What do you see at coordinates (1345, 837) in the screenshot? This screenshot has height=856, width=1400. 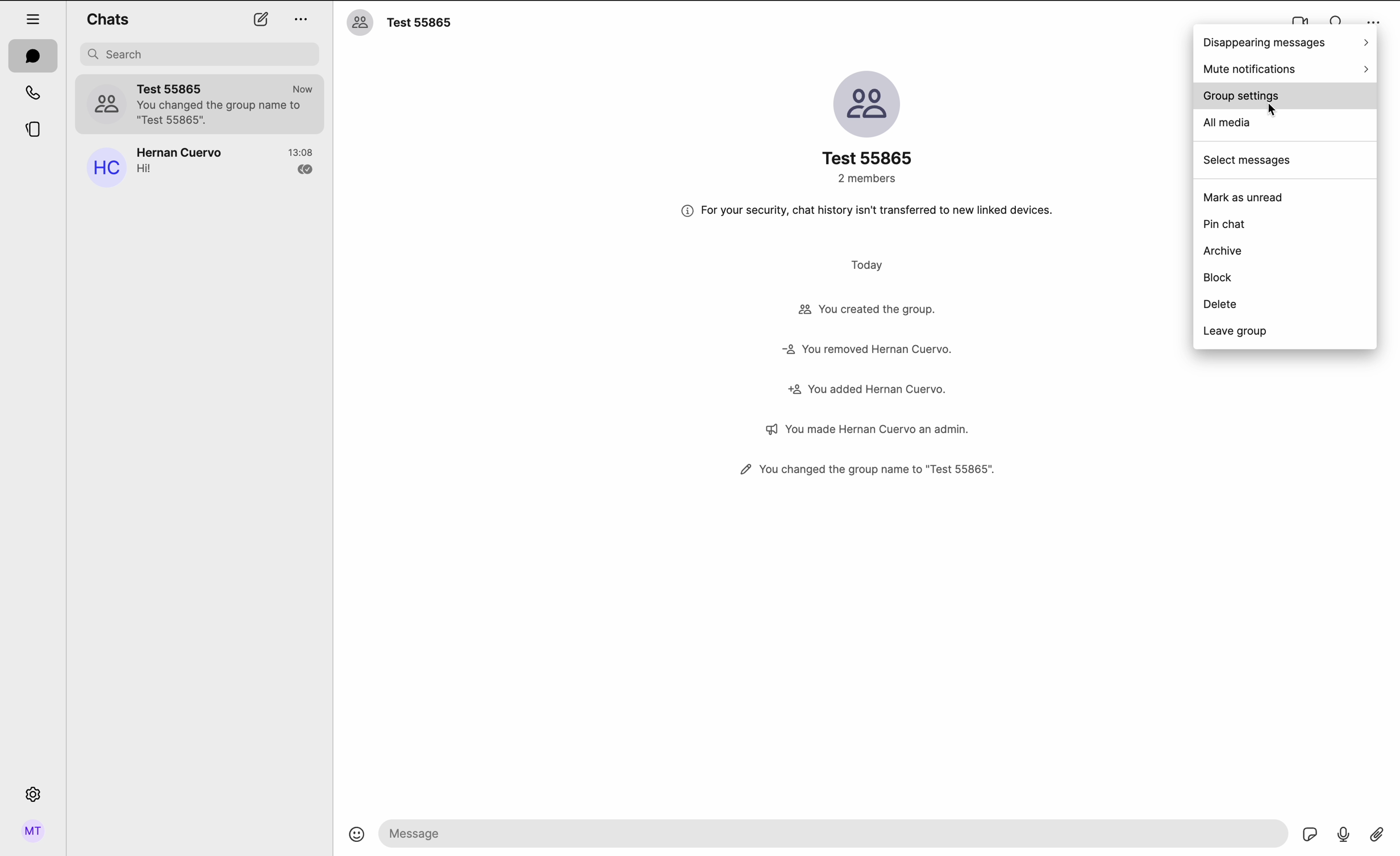 I see `voice record` at bounding box center [1345, 837].